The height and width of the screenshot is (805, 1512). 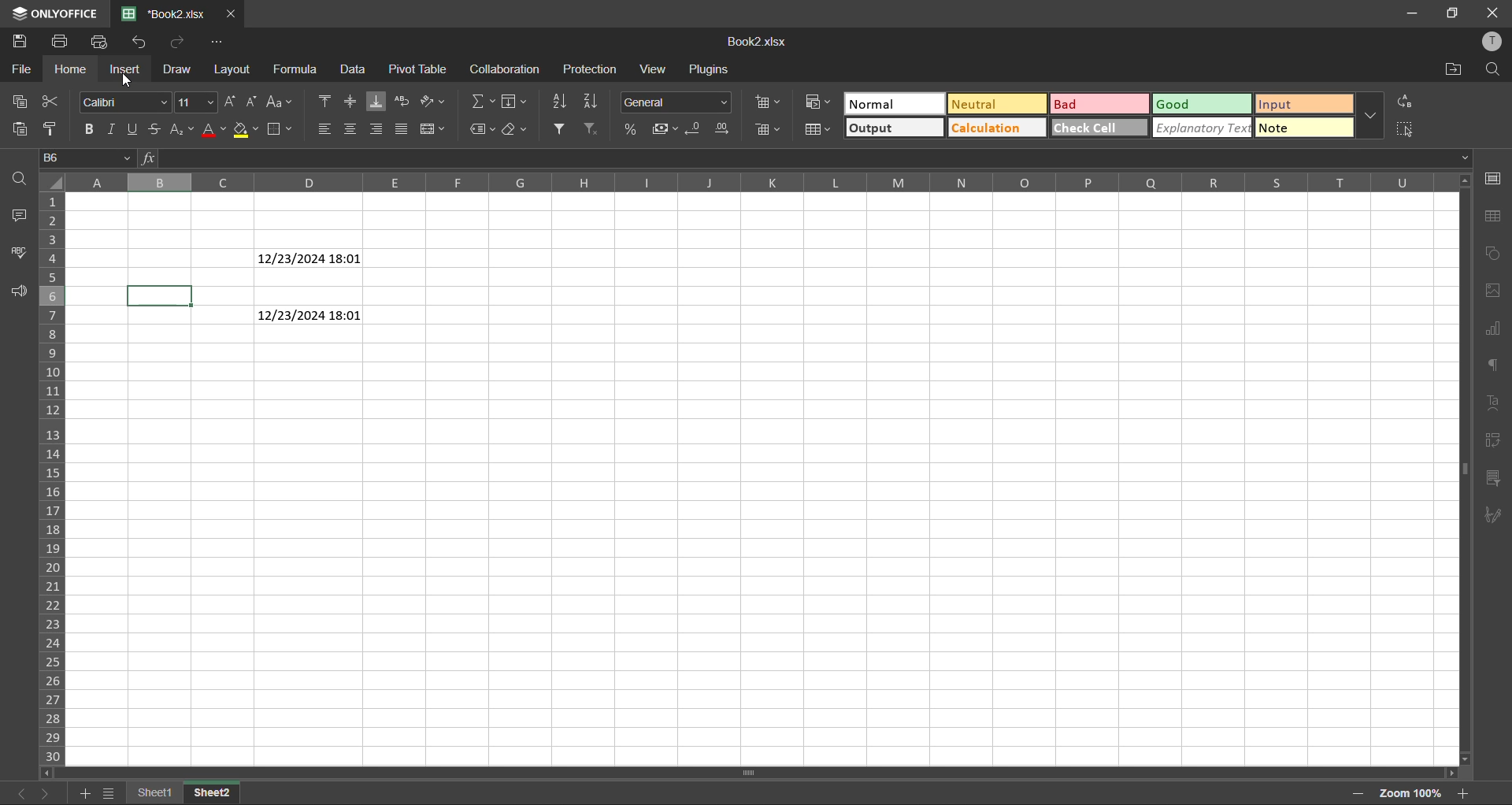 I want to click on bold, so click(x=87, y=128).